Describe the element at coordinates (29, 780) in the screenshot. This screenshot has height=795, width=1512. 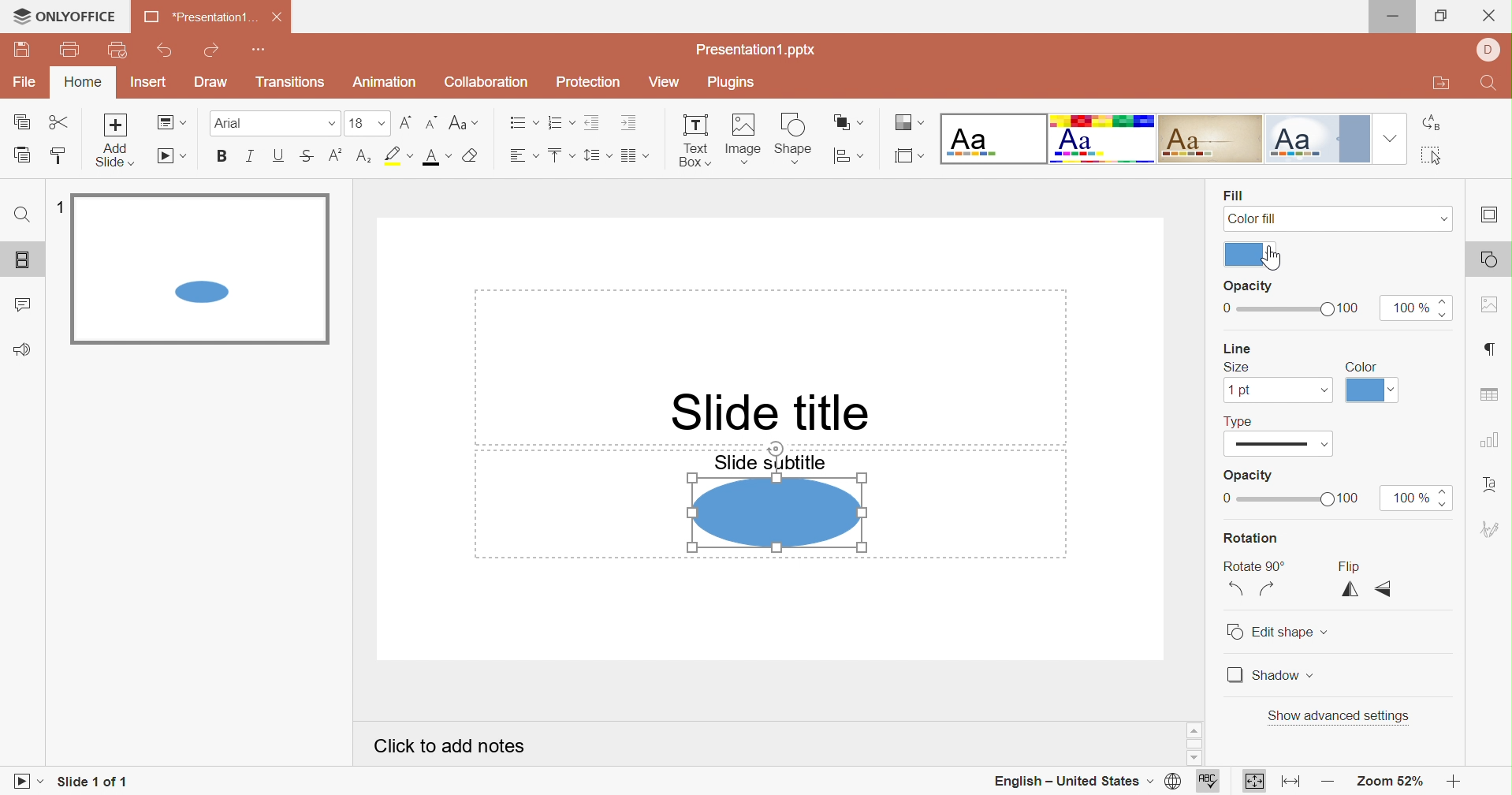
I see `Start slideshow` at that location.